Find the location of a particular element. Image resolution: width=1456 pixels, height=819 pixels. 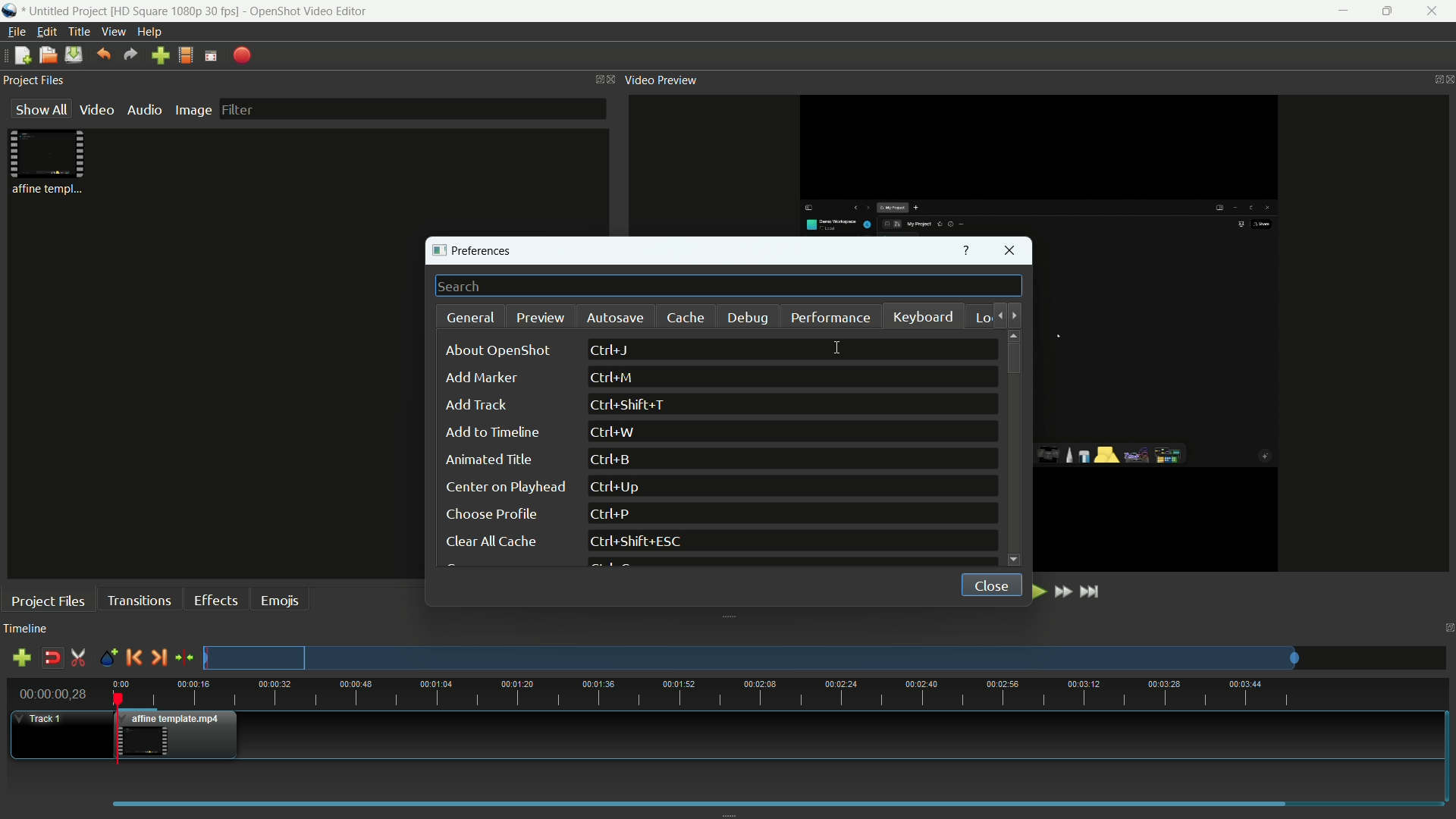

minimize is located at coordinates (1339, 11).